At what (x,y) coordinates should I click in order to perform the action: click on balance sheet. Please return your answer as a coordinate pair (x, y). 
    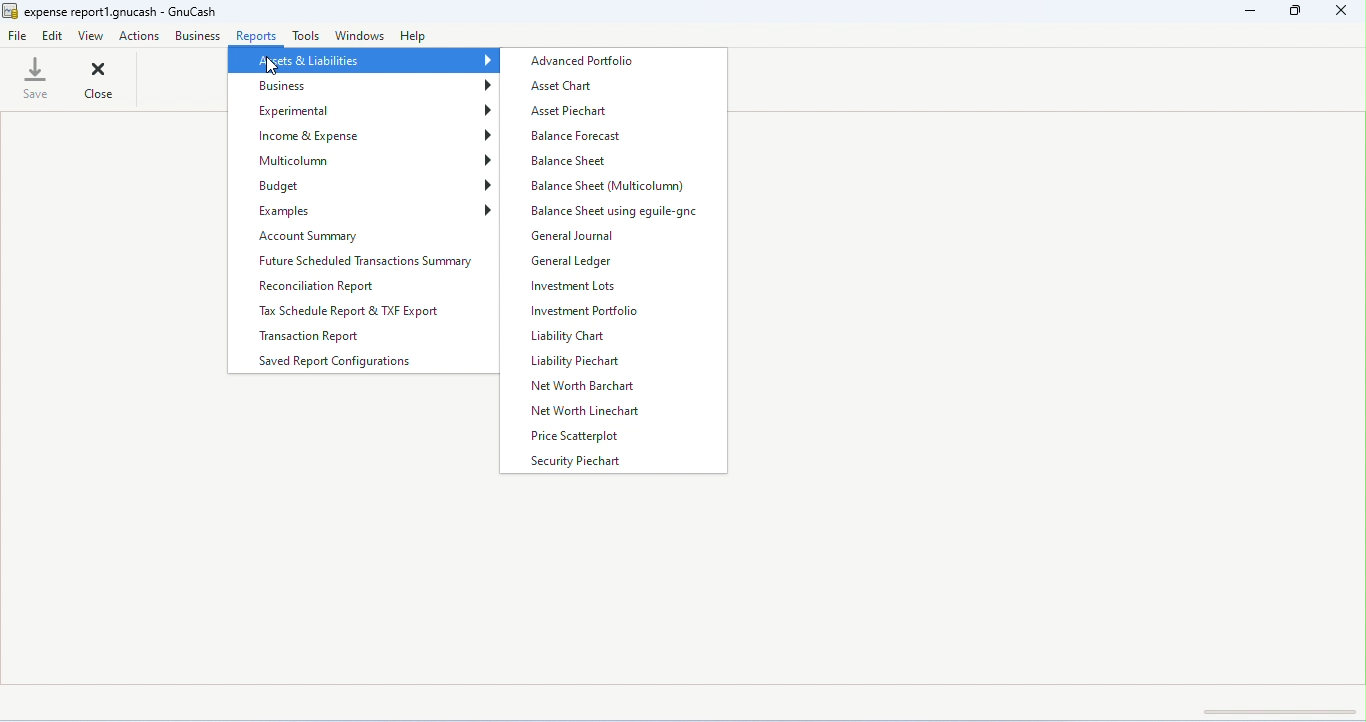
    Looking at the image, I should click on (573, 161).